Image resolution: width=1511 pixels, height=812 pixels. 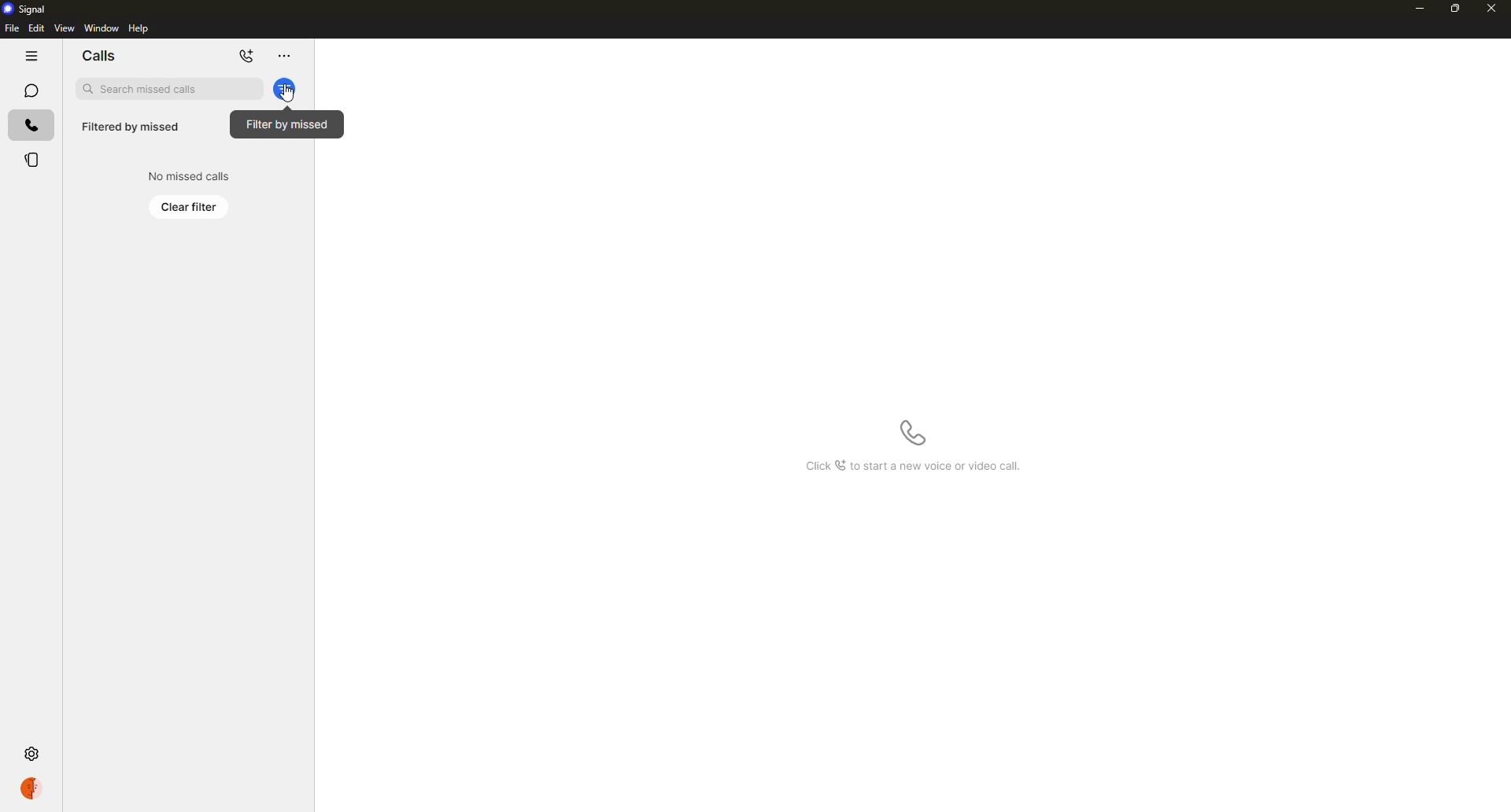 What do you see at coordinates (142, 28) in the screenshot?
I see `help` at bounding box center [142, 28].